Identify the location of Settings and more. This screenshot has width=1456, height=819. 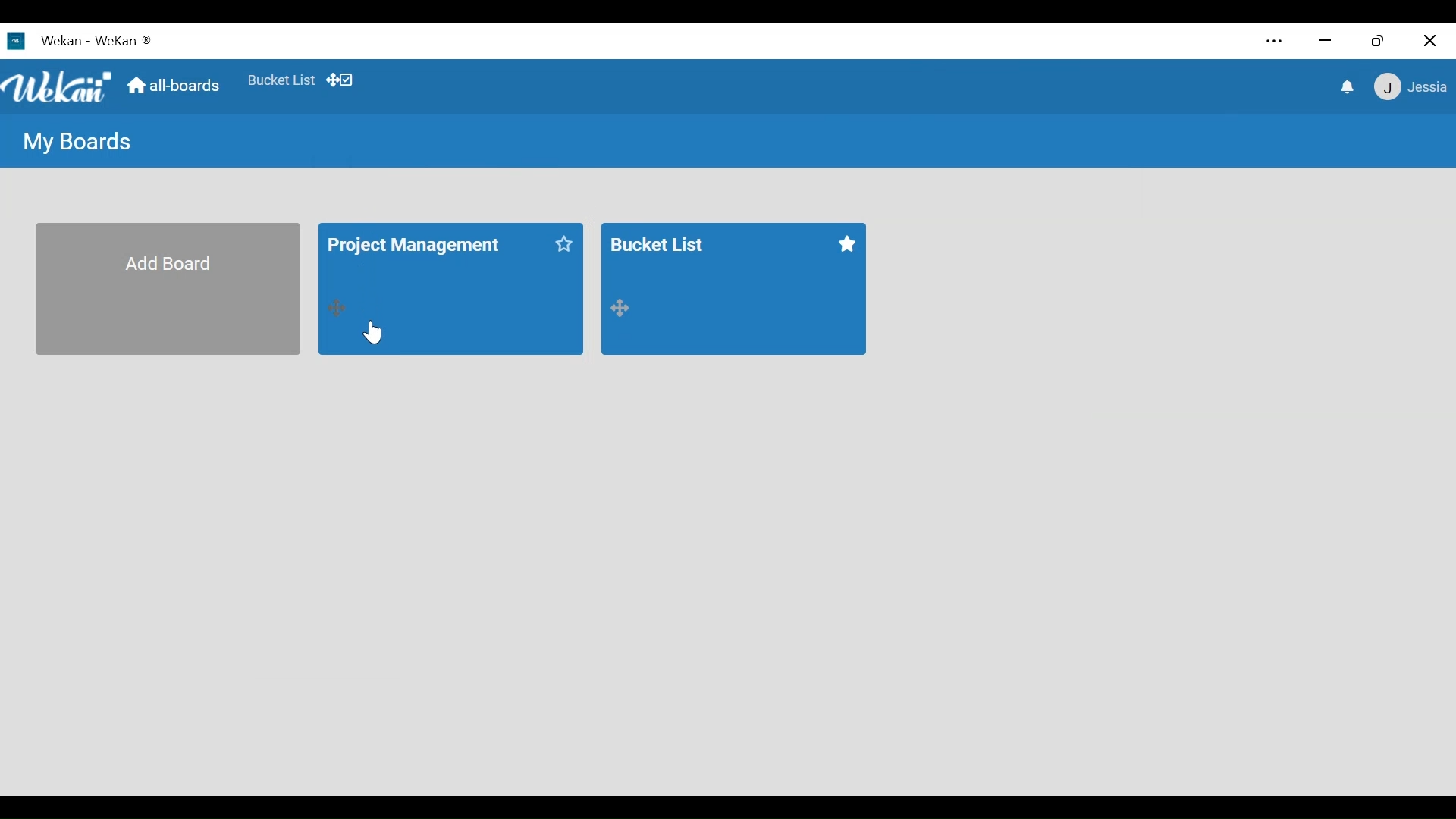
(1276, 42).